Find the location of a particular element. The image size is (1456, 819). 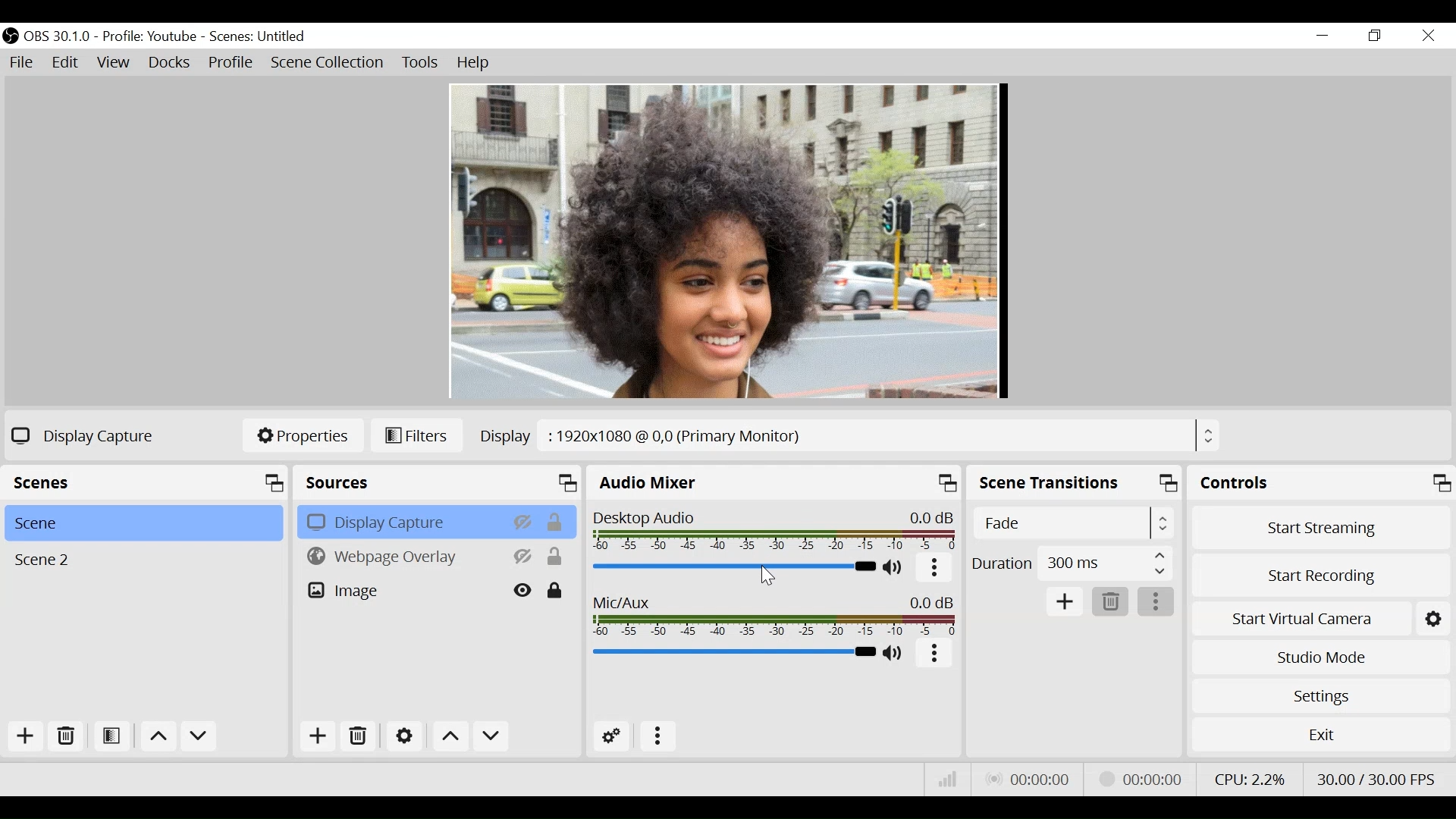

View is located at coordinates (113, 63).